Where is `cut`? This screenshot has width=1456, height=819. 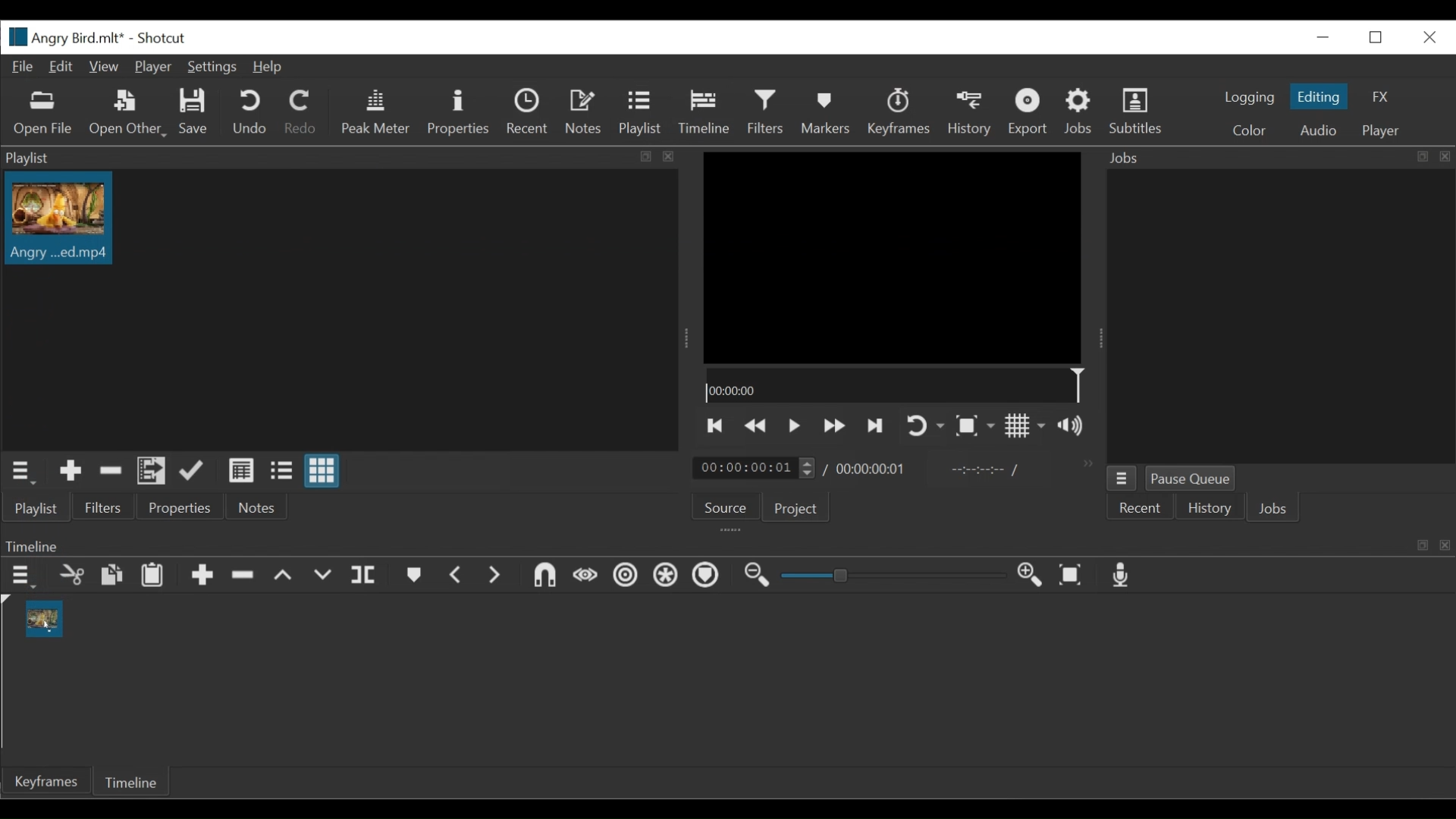 cut is located at coordinates (71, 576).